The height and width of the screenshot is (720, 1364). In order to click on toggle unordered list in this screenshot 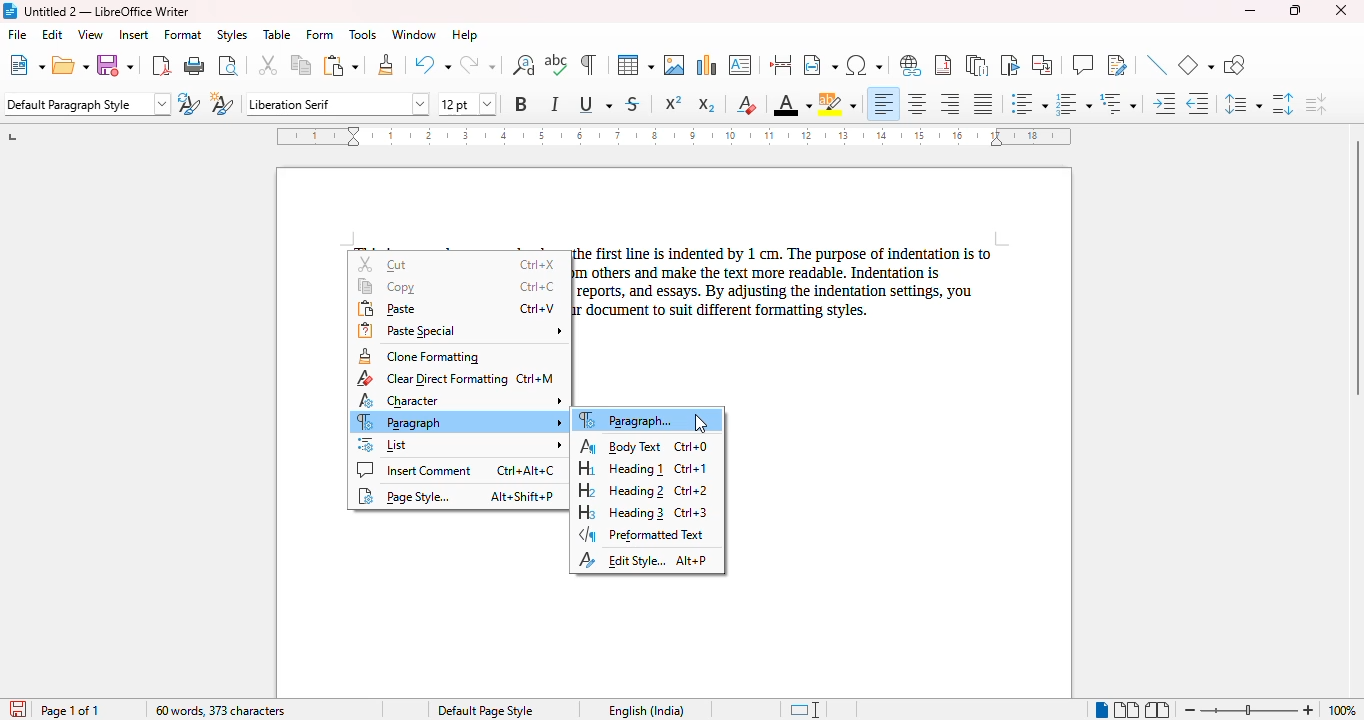, I will do `click(1029, 103)`.